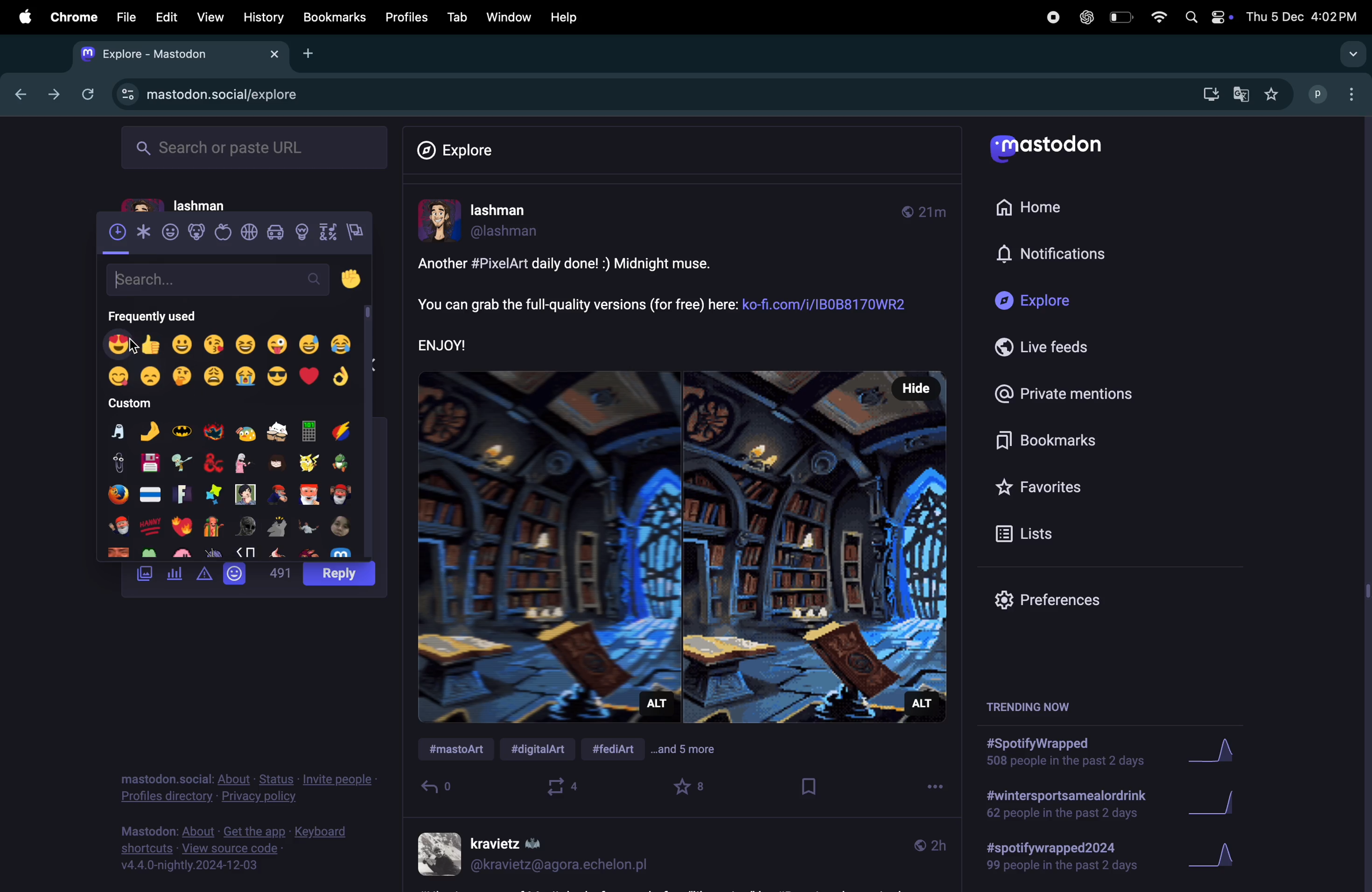 The width and height of the screenshot is (1372, 892). I want to click on wintersport drink, so click(1064, 806).